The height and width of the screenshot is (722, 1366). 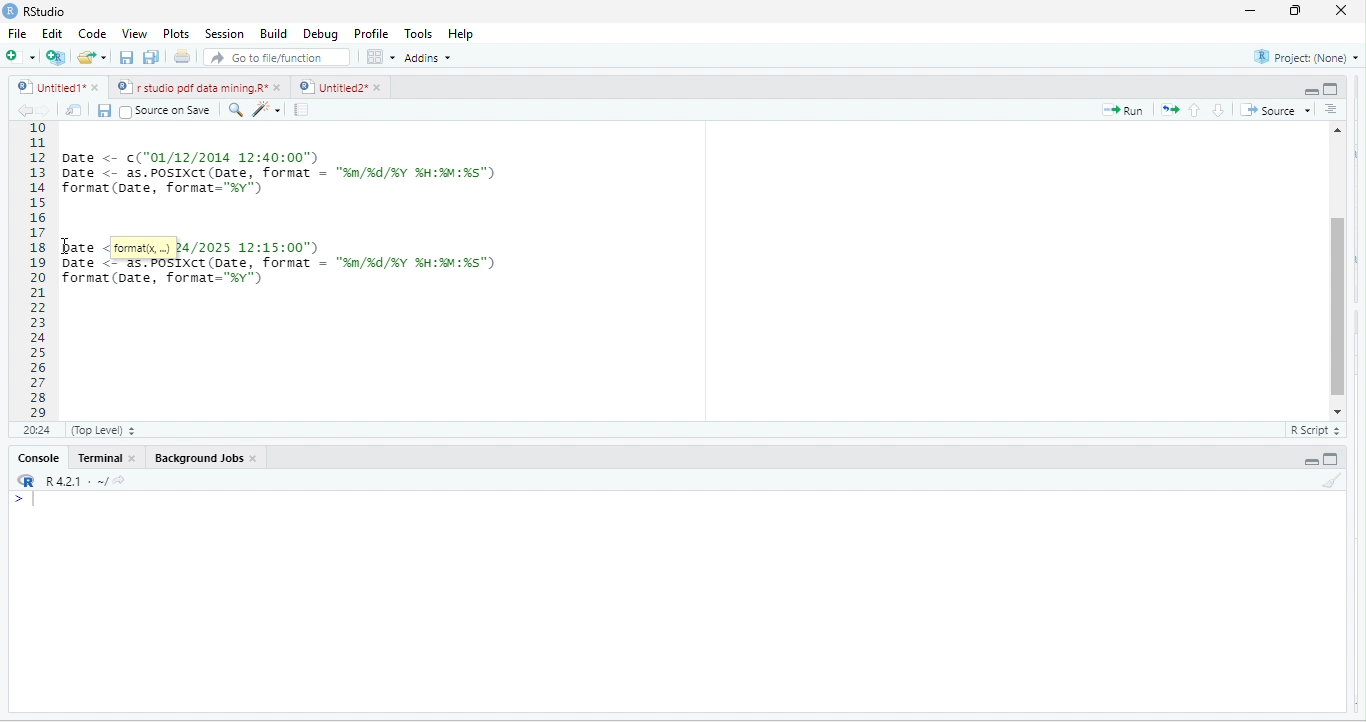 What do you see at coordinates (16, 35) in the screenshot?
I see `File` at bounding box center [16, 35].